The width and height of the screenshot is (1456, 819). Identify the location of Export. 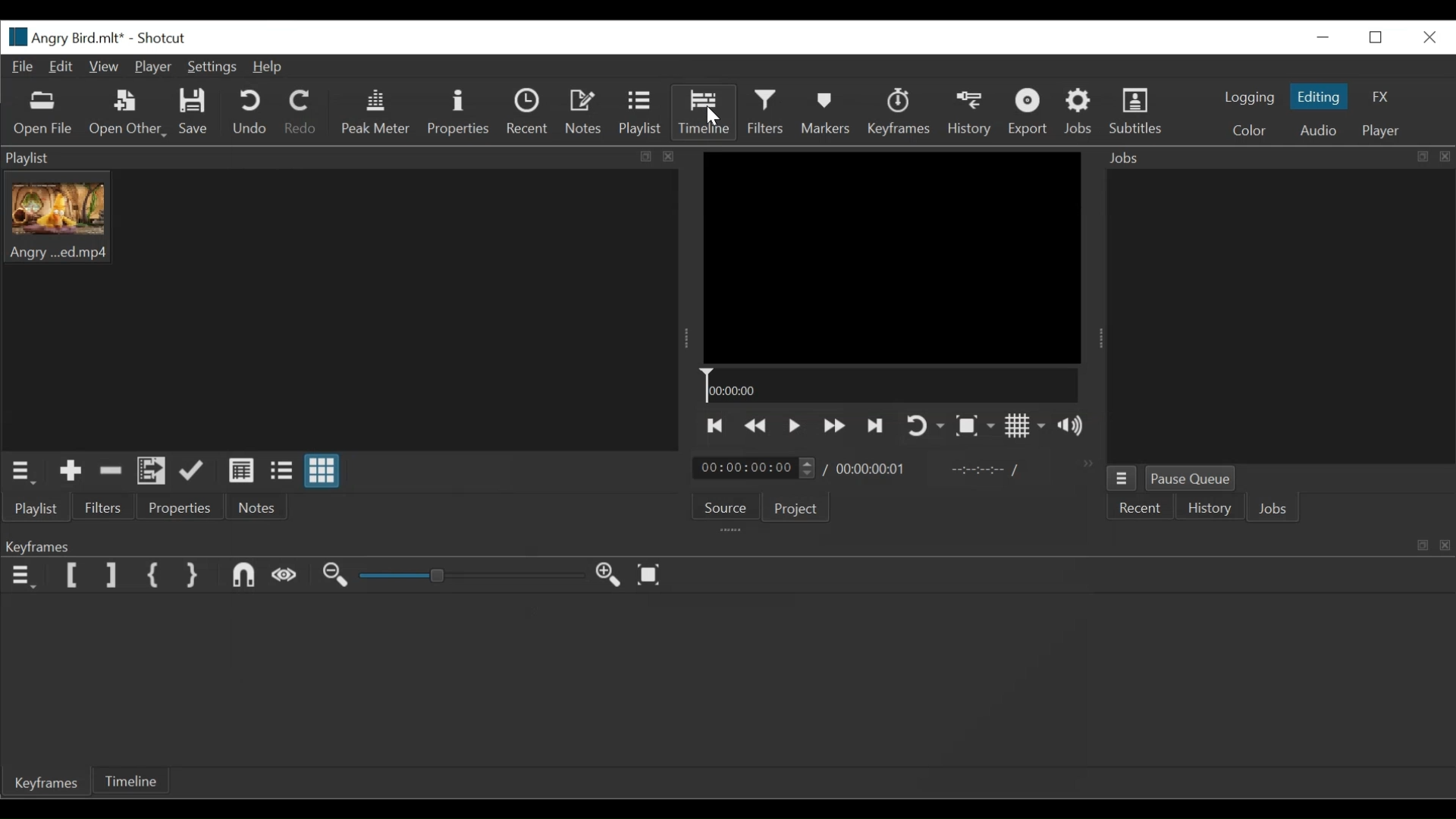
(1028, 111).